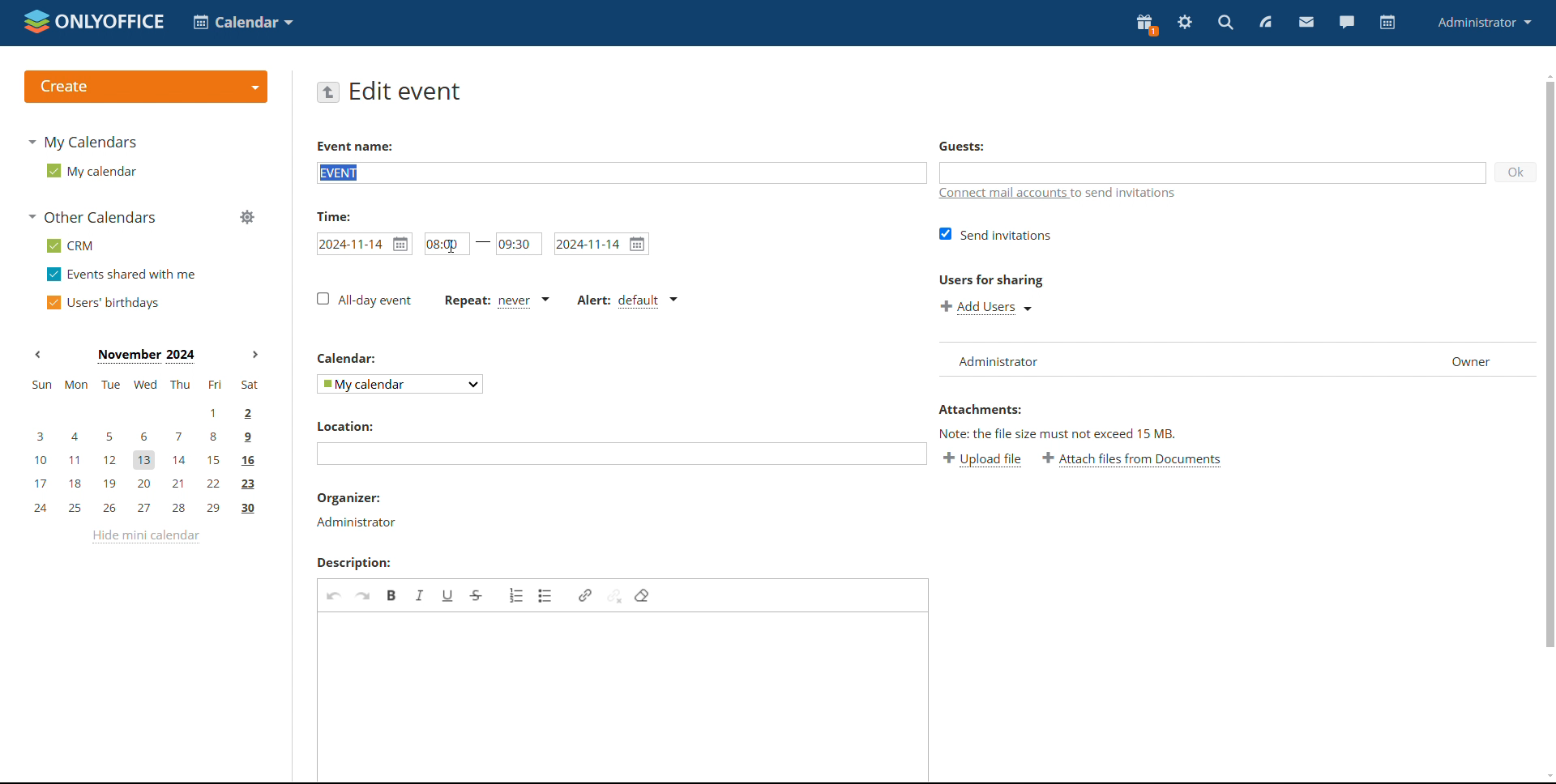 The width and height of the screenshot is (1556, 784). I want to click on users for sharing, so click(990, 282).